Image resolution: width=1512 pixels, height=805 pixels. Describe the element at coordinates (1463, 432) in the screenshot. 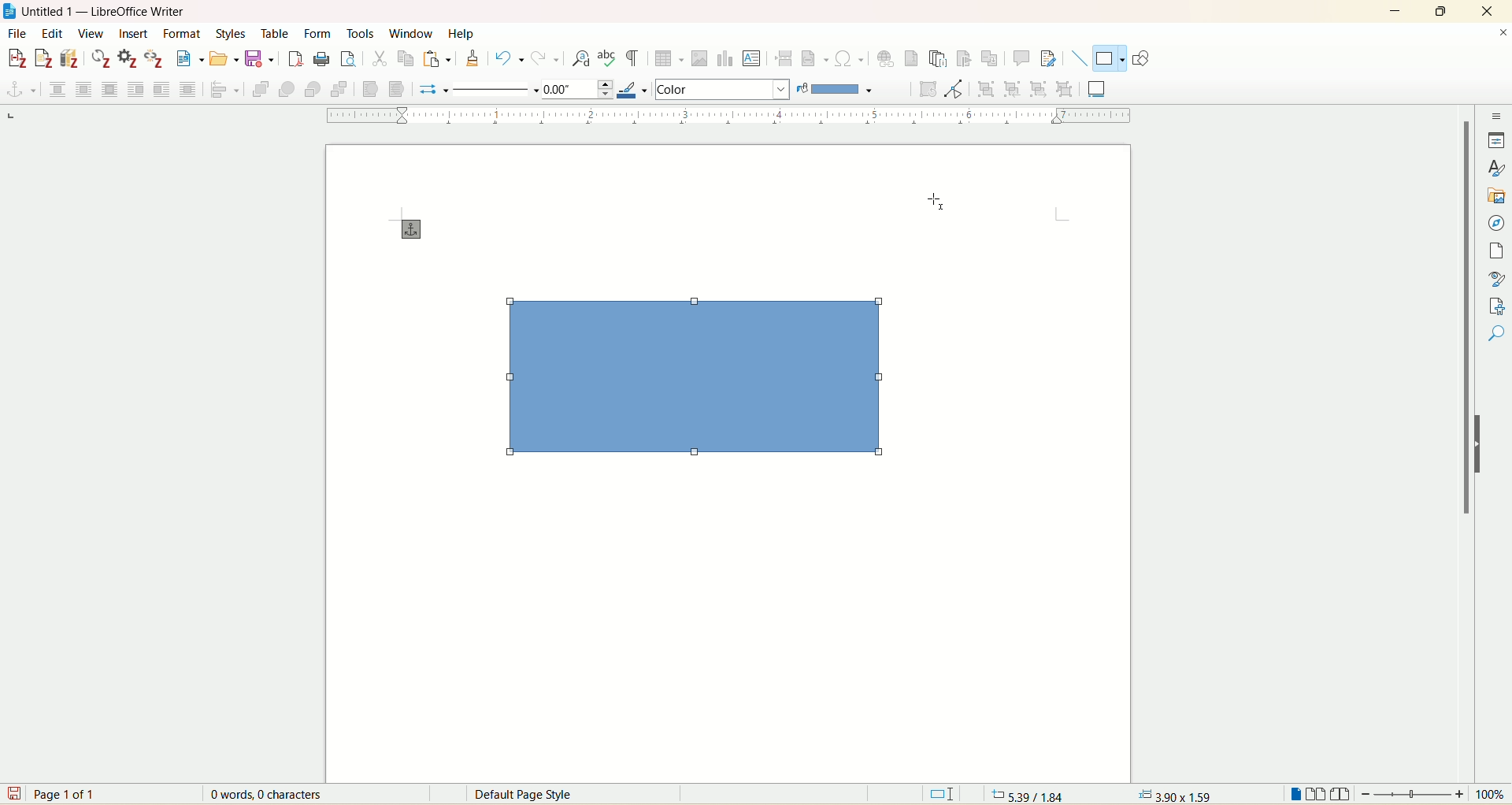

I see `vertical scroll bar` at that location.